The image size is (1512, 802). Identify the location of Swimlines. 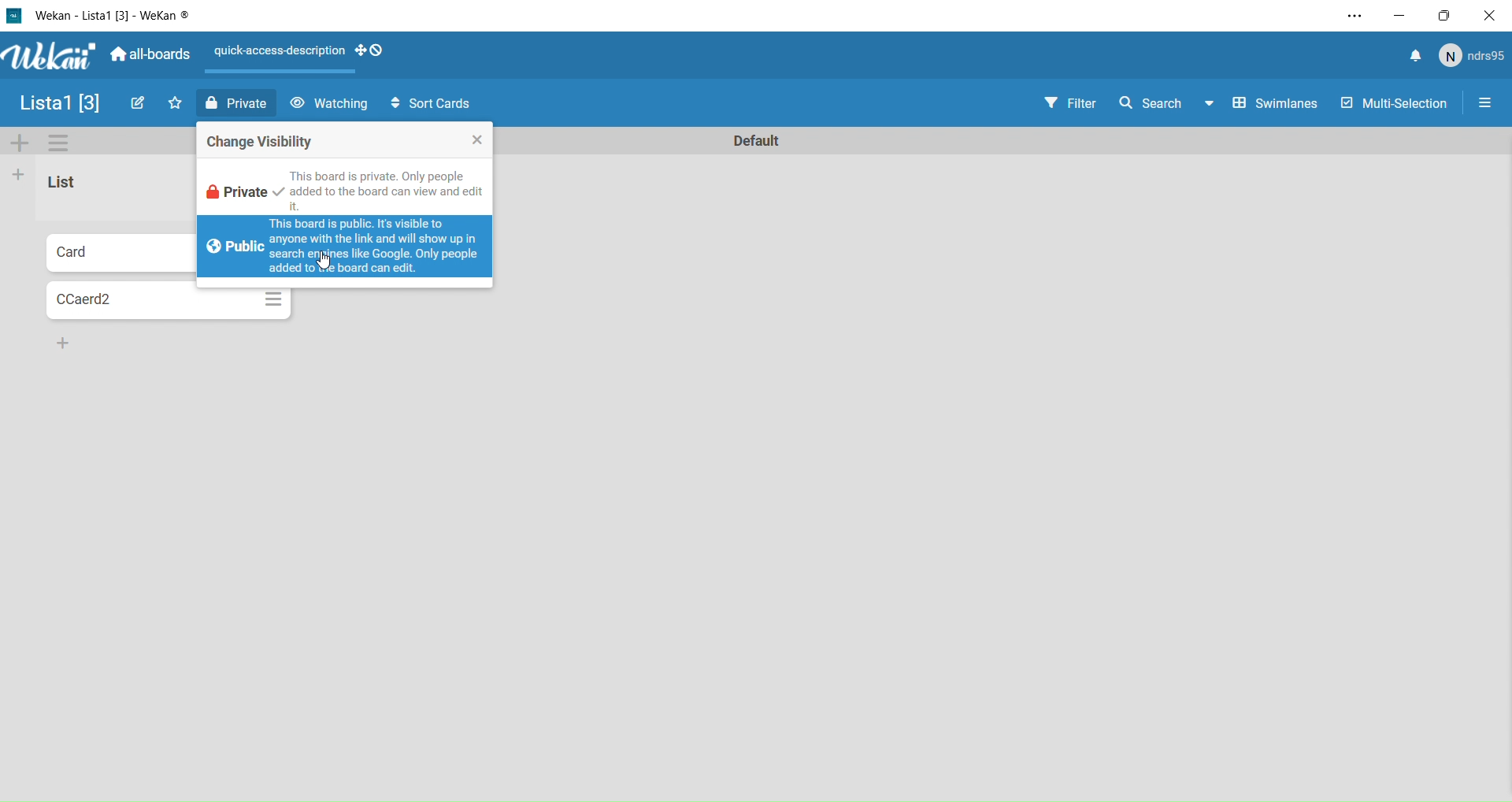
(1274, 106).